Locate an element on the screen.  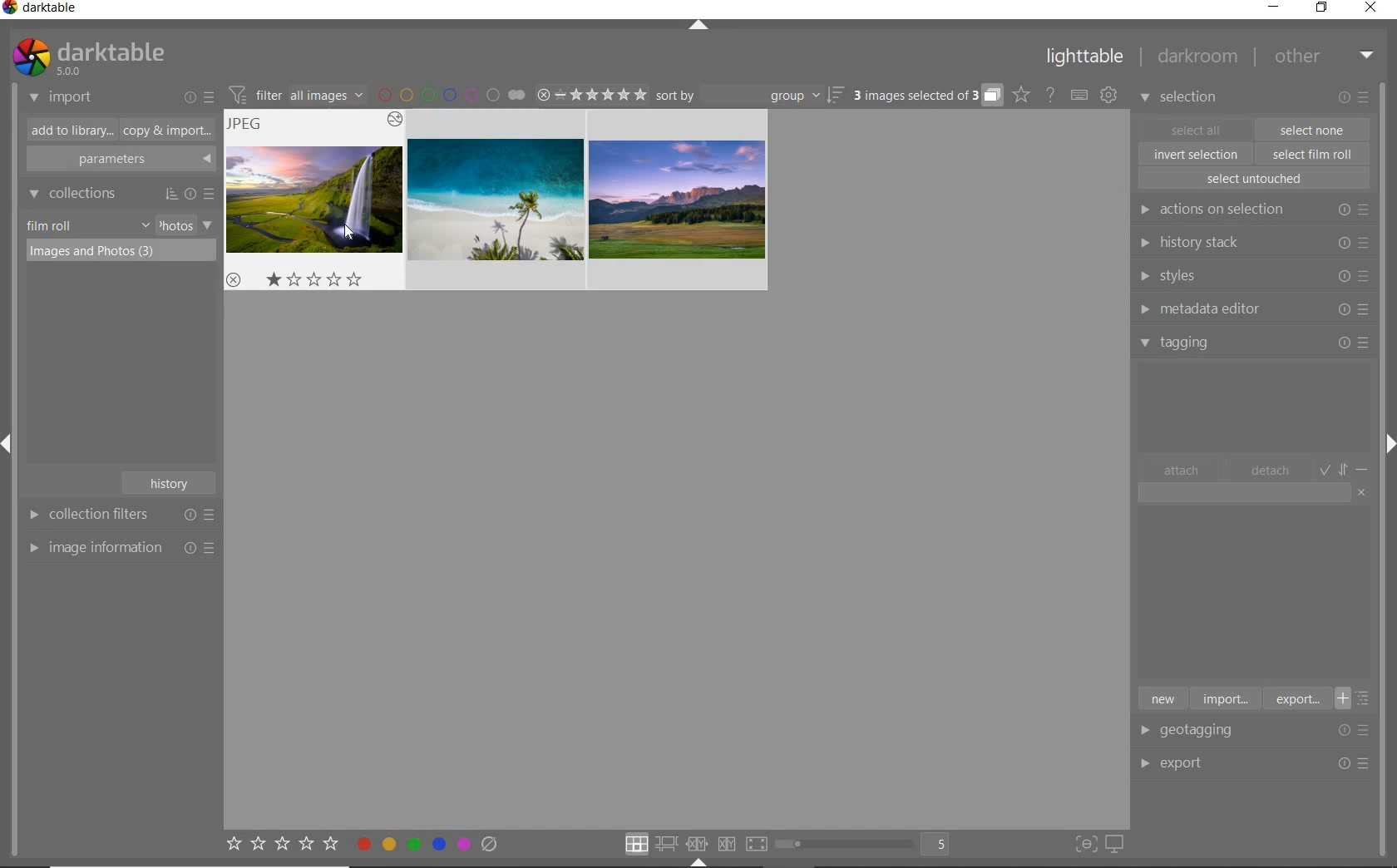
close is located at coordinates (1374, 9).